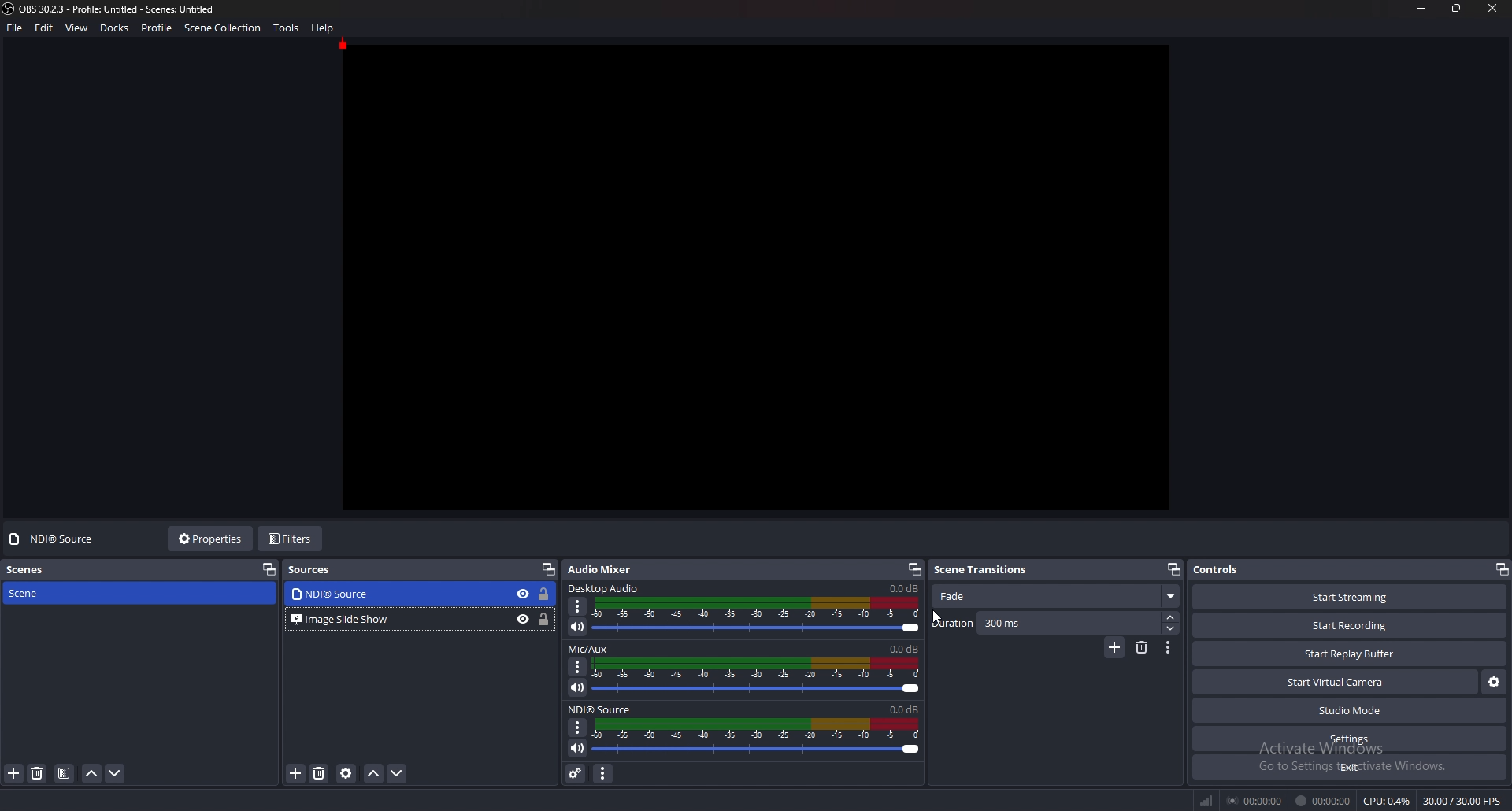 The image size is (1512, 811). Describe the element at coordinates (15, 28) in the screenshot. I see `file` at that location.